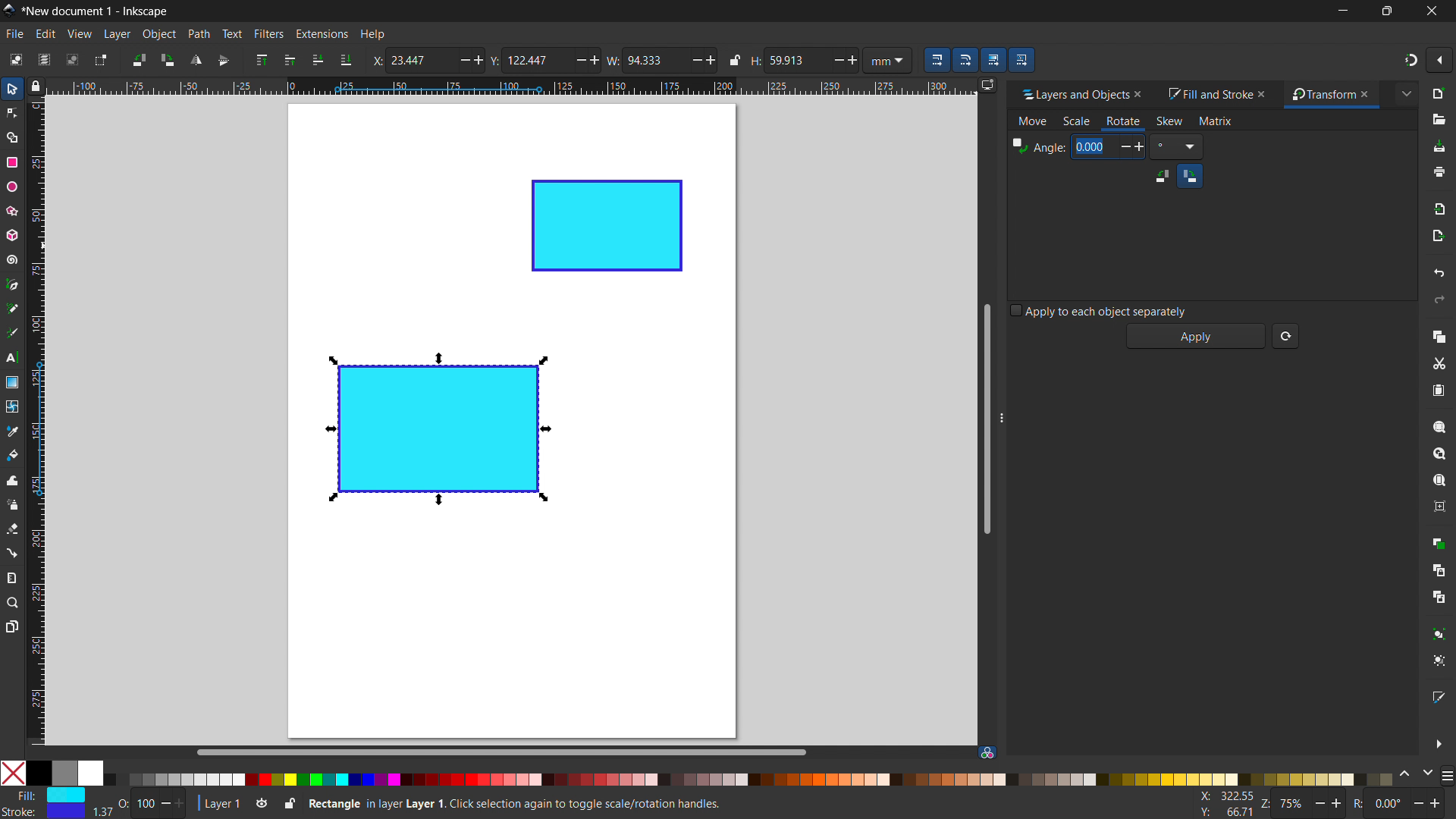  What do you see at coordinates (372, 35) in the screenshot?
I see `help` at bounding box center [372, 35].